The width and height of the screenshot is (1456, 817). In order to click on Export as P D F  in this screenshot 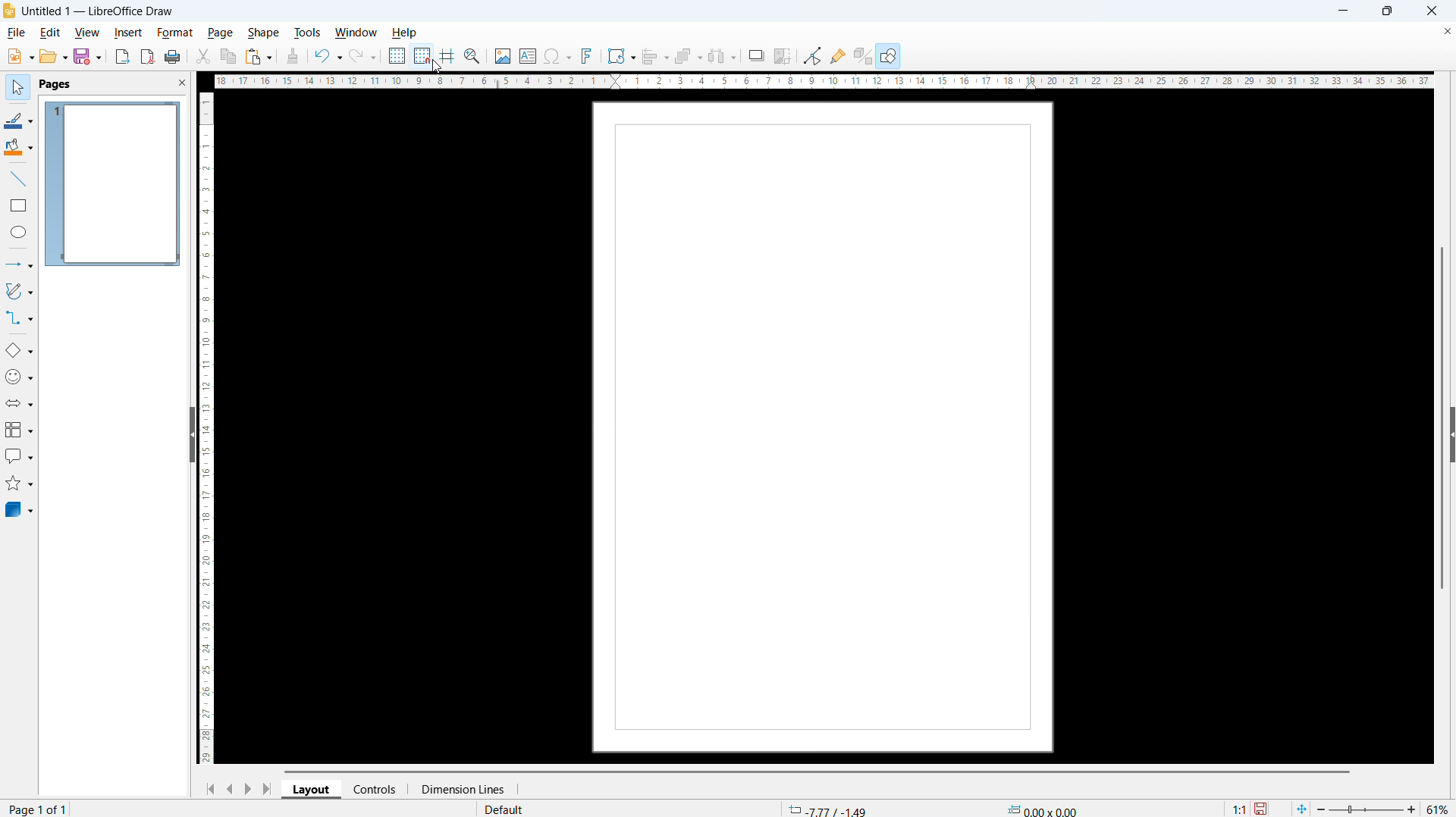, I will do `click(147, 57)`.